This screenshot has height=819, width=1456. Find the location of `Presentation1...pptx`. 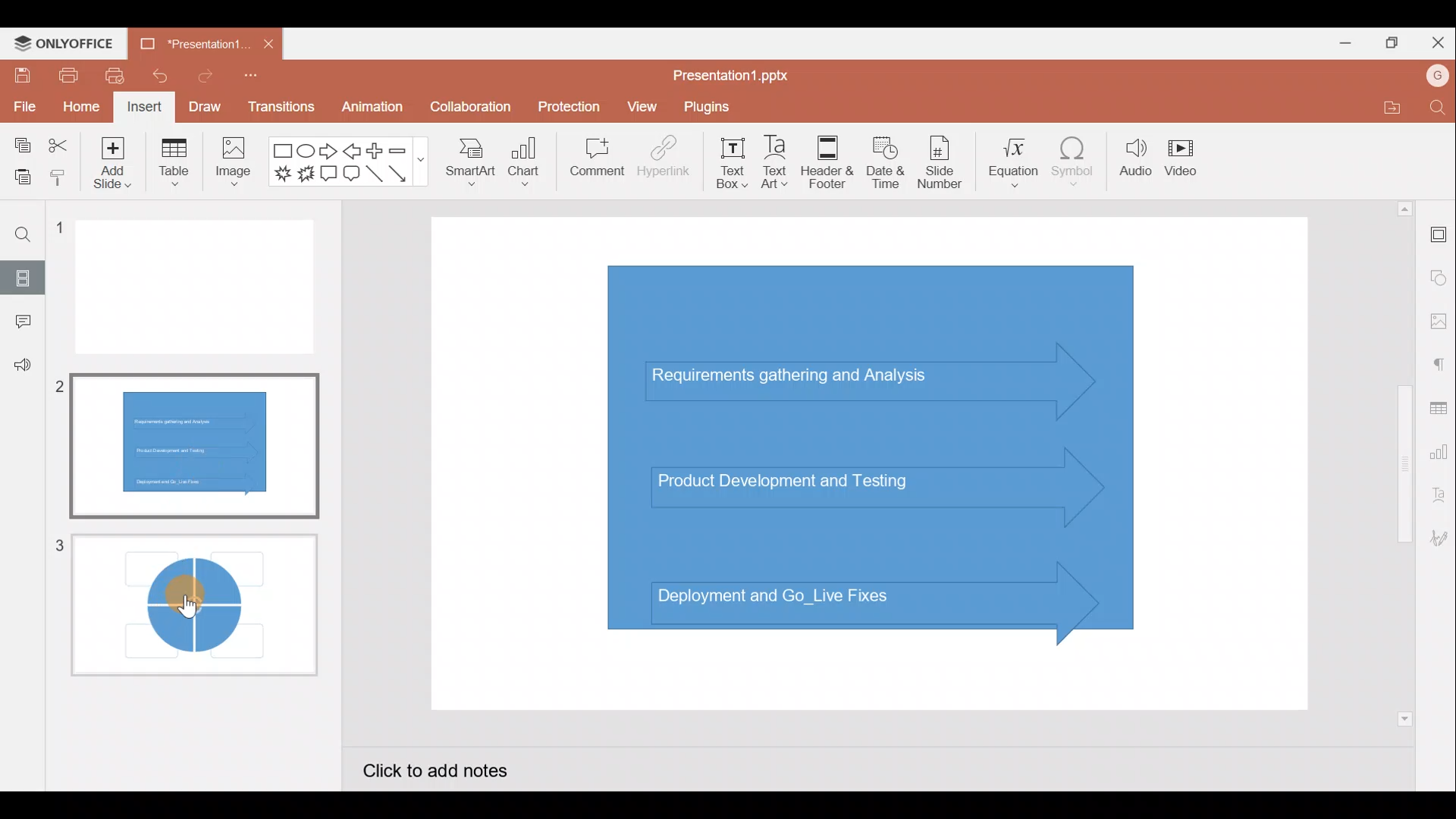

Presentation1...pptx is located at coordinates (734, 76).